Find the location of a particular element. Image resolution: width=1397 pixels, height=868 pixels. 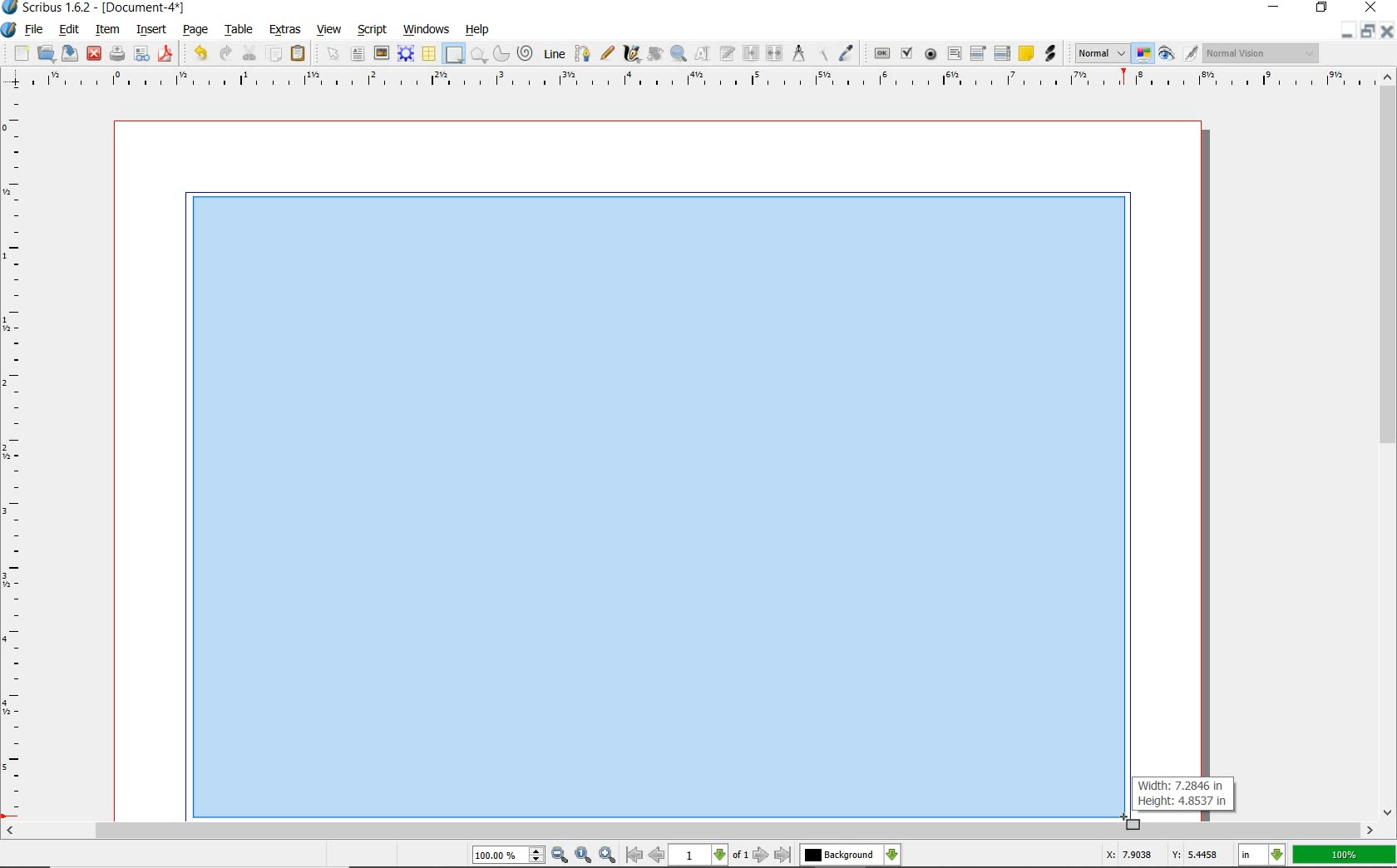

open is located at coordinates (47, 54).